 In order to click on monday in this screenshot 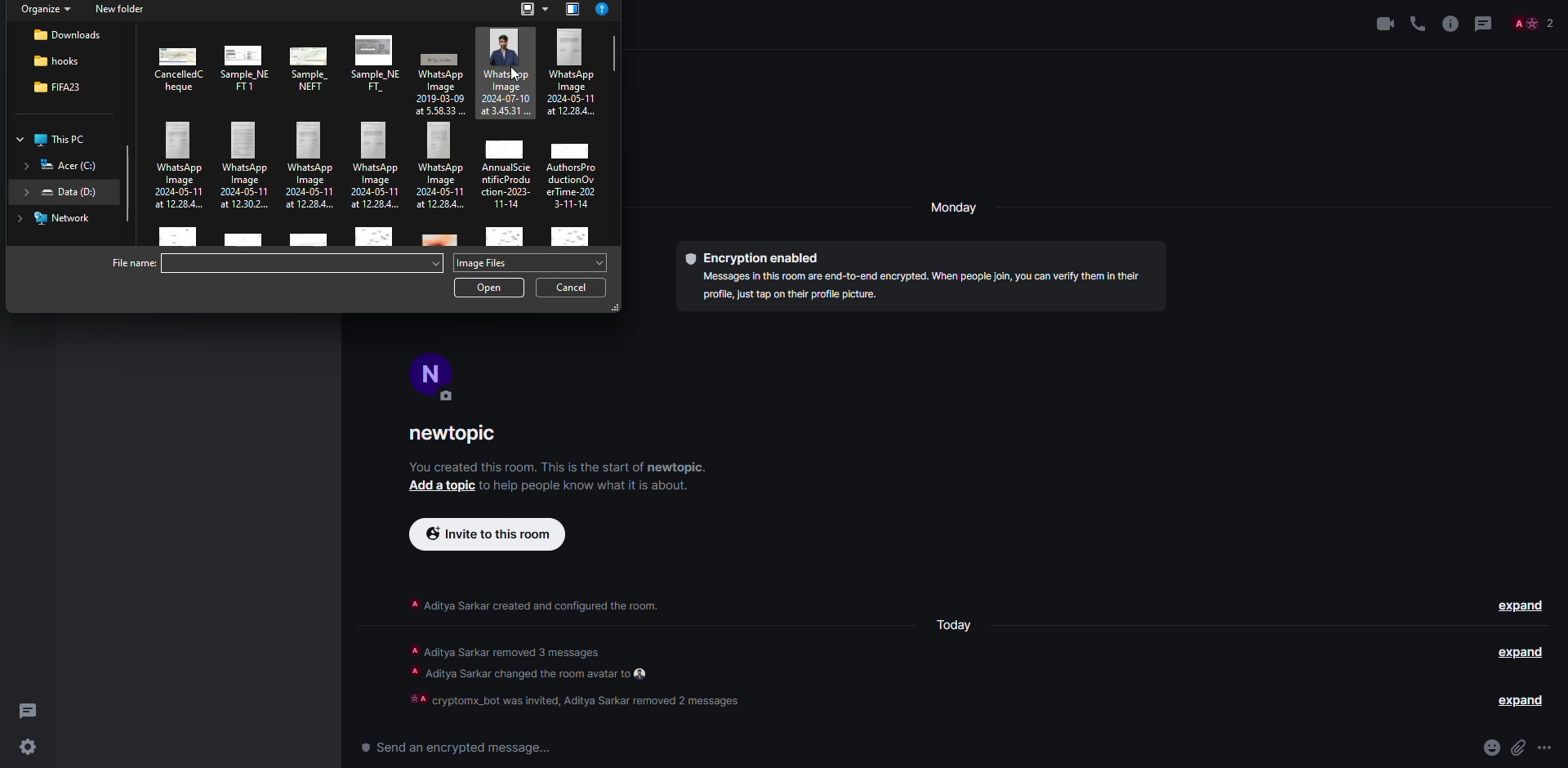, I will do `click(955, 208)`.